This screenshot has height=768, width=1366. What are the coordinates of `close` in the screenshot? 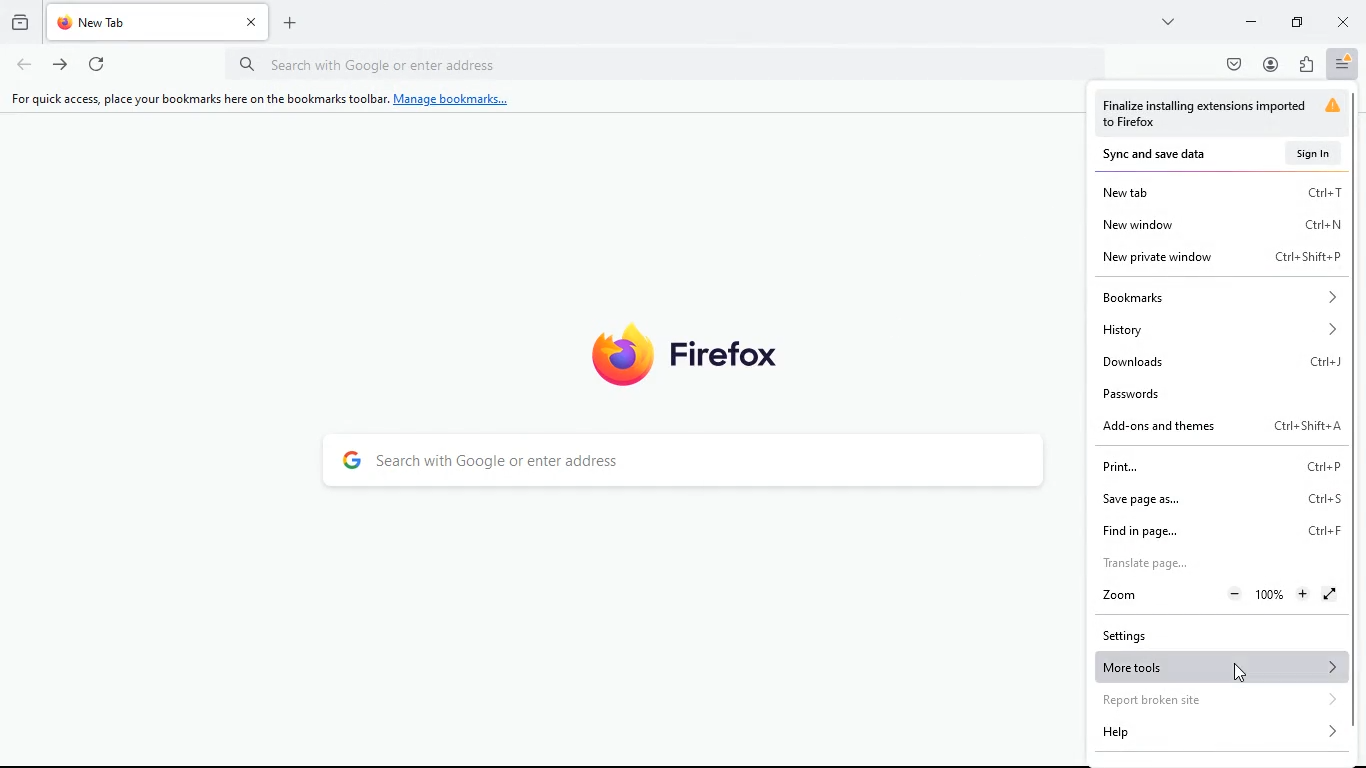 It's located at (1345, 25).